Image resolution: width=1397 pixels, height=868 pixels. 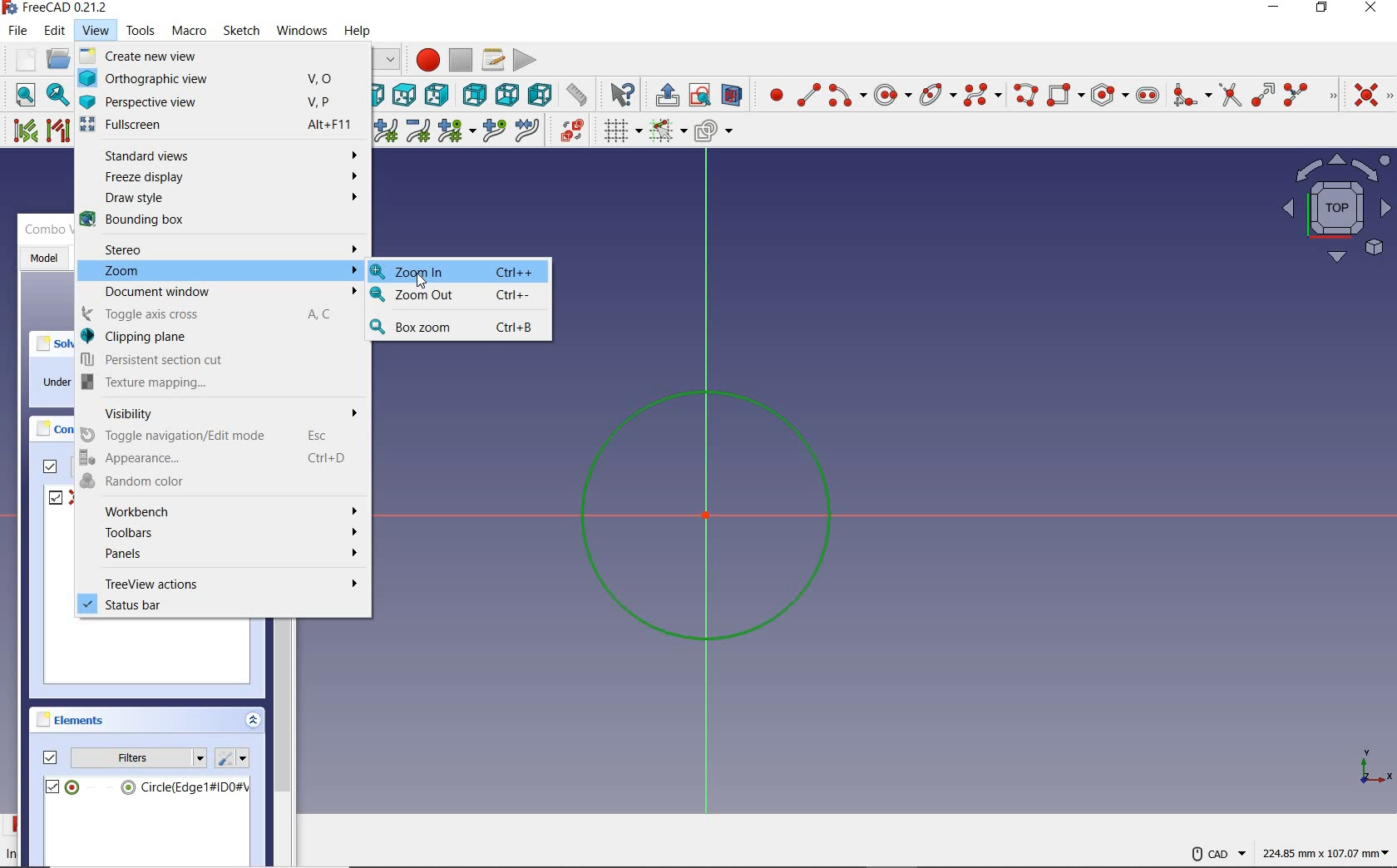 What do you see at coordinates (424, 284) in the screenshot?
I see `cursor` at bounding box center [424, 284].